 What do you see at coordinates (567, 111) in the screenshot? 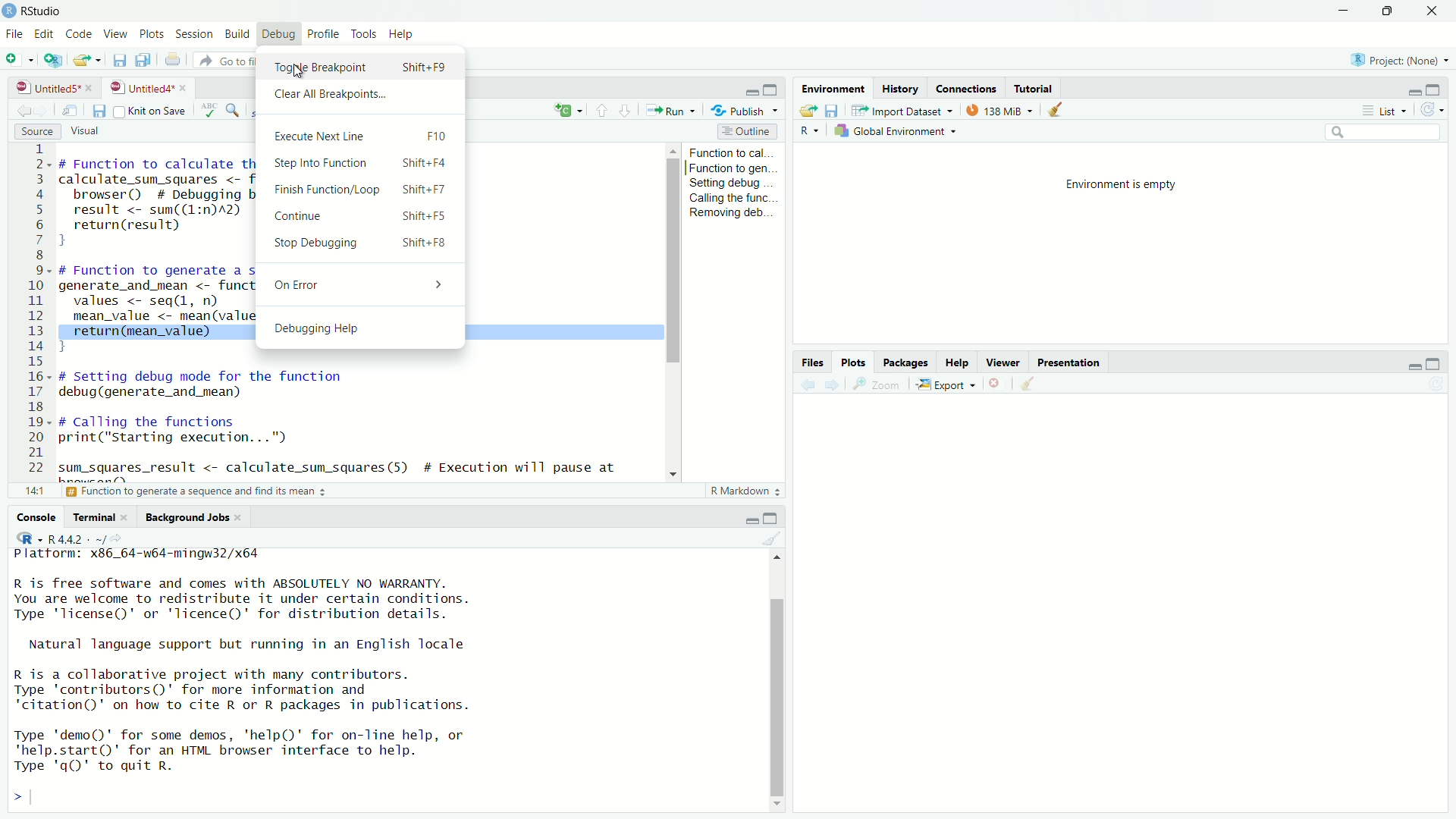
I see `c+` at bounding box center [567, 111].